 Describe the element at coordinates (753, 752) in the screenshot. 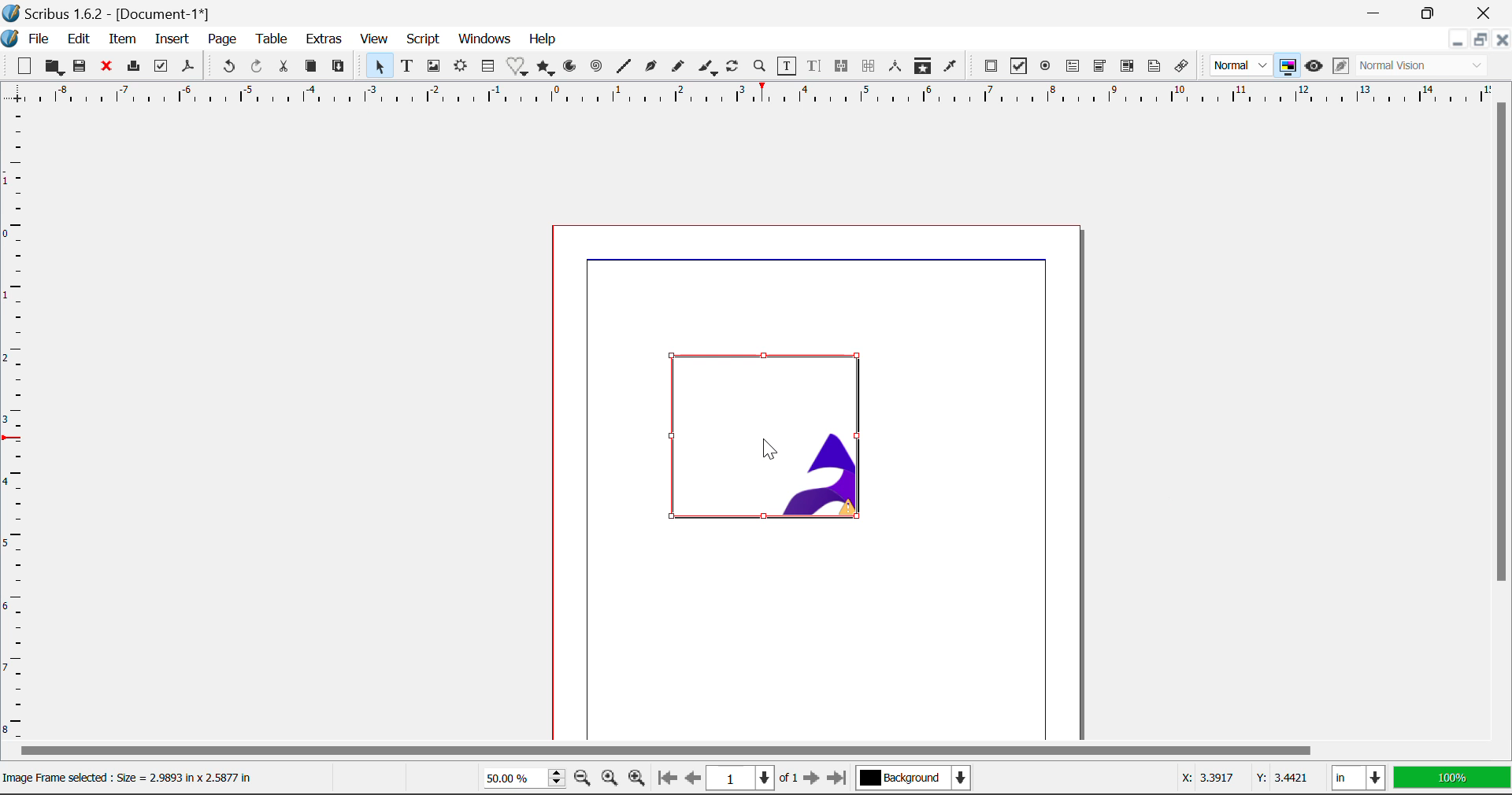

I see `Horizontal Scroll Bar` at that location.